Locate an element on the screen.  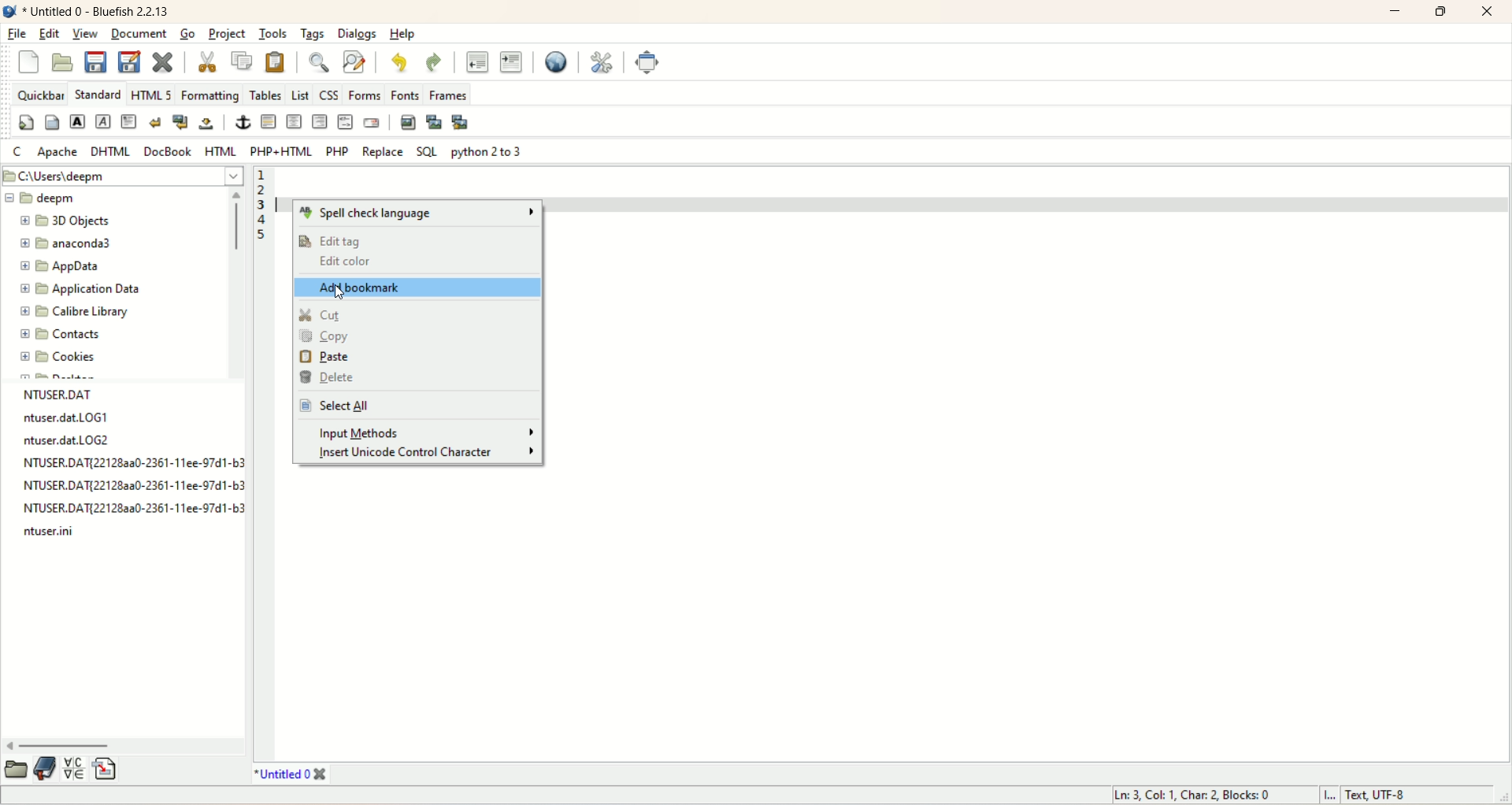
paste is located at coordinates (275, 60).